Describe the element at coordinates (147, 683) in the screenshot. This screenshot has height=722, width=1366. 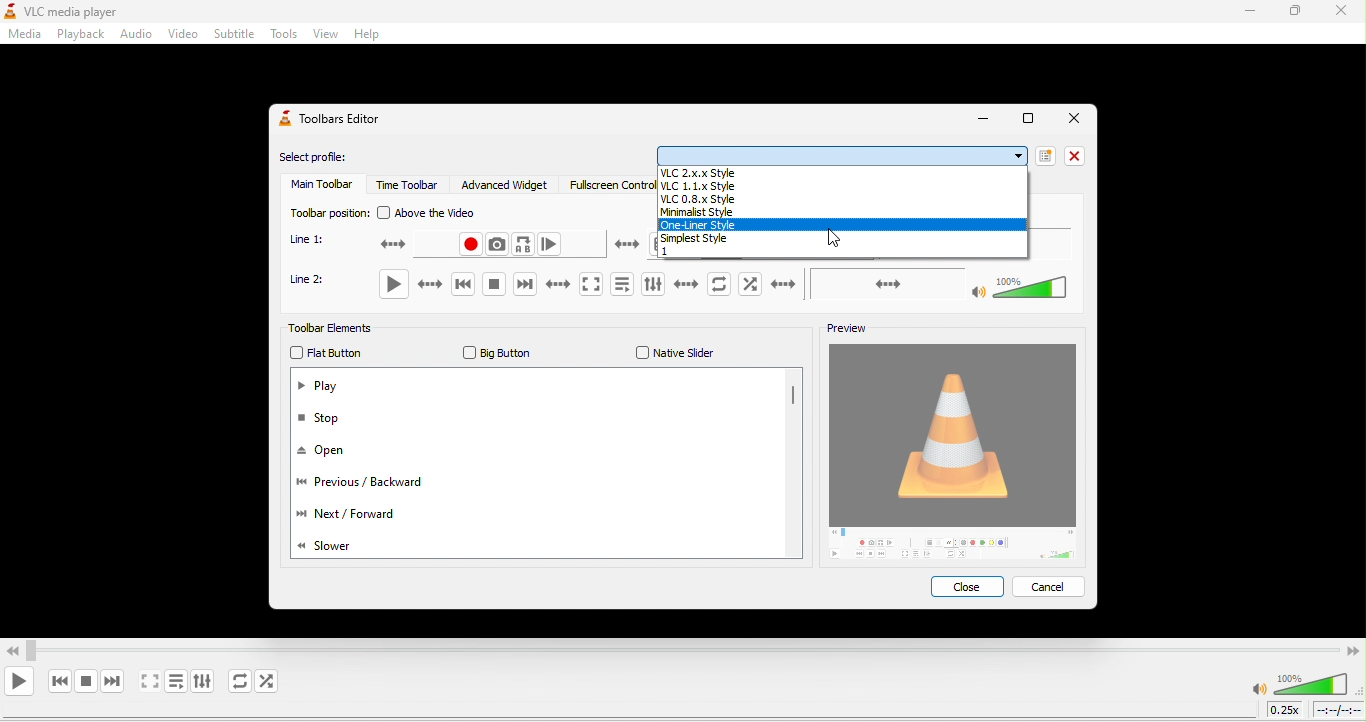
I see `toggle video in  full screen` at that location.